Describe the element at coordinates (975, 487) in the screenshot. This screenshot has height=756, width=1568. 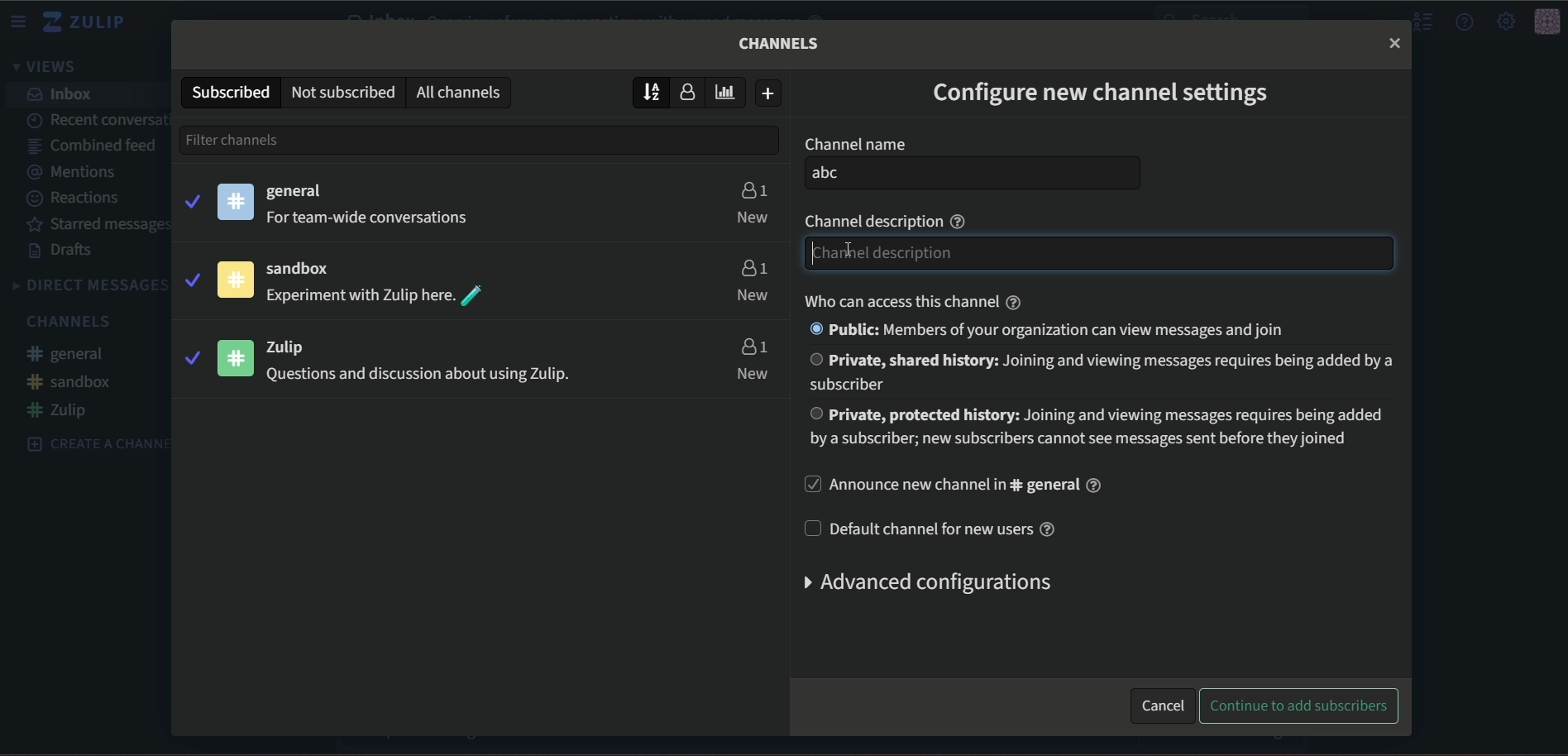
I see ` Announce new channel in # general ` at that location.